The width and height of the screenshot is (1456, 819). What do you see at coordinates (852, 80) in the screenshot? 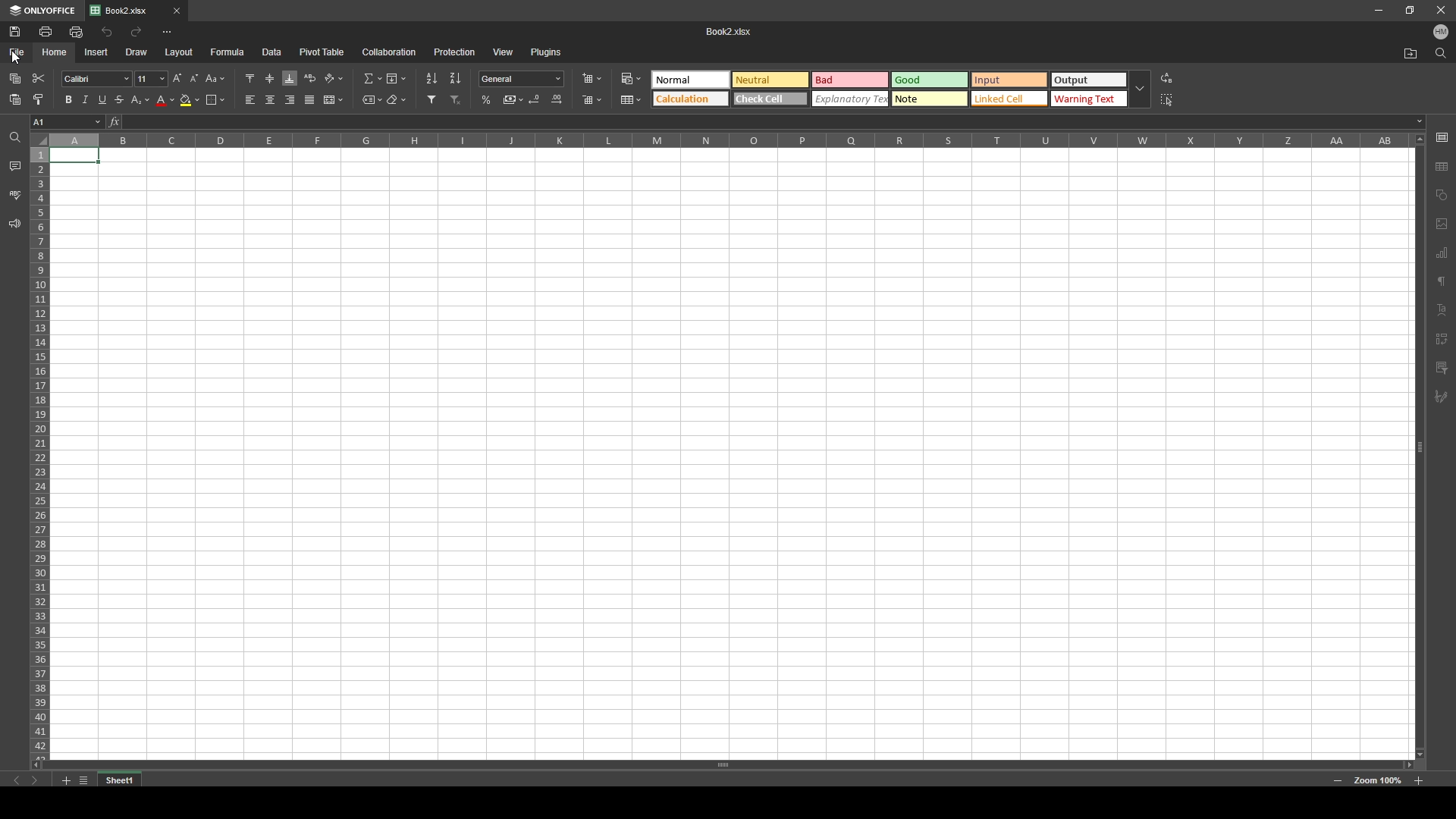
I see `Bad` at bounding box center [852, 80].